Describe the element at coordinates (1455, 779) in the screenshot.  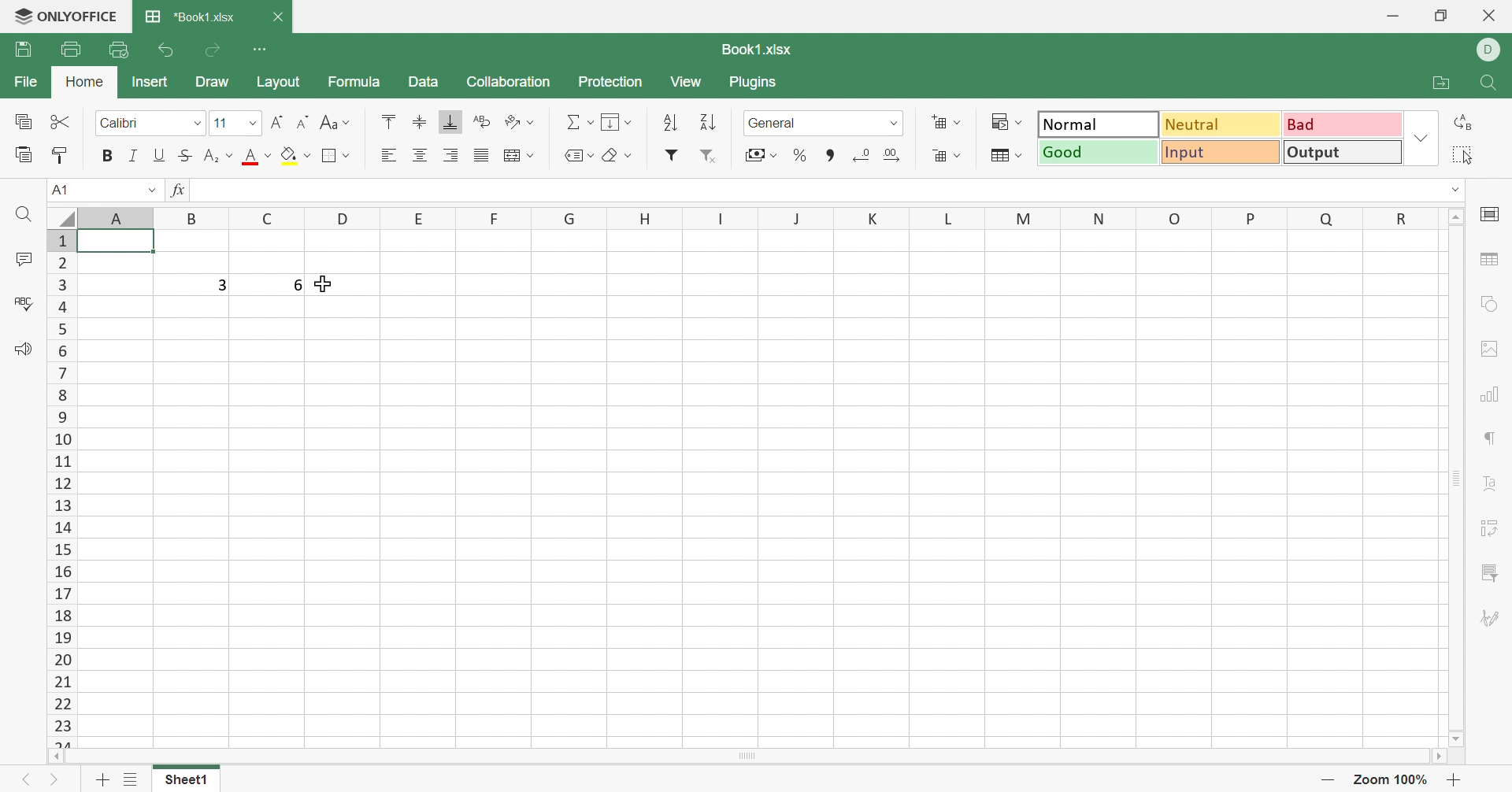
I see `Zoom in` at that location.